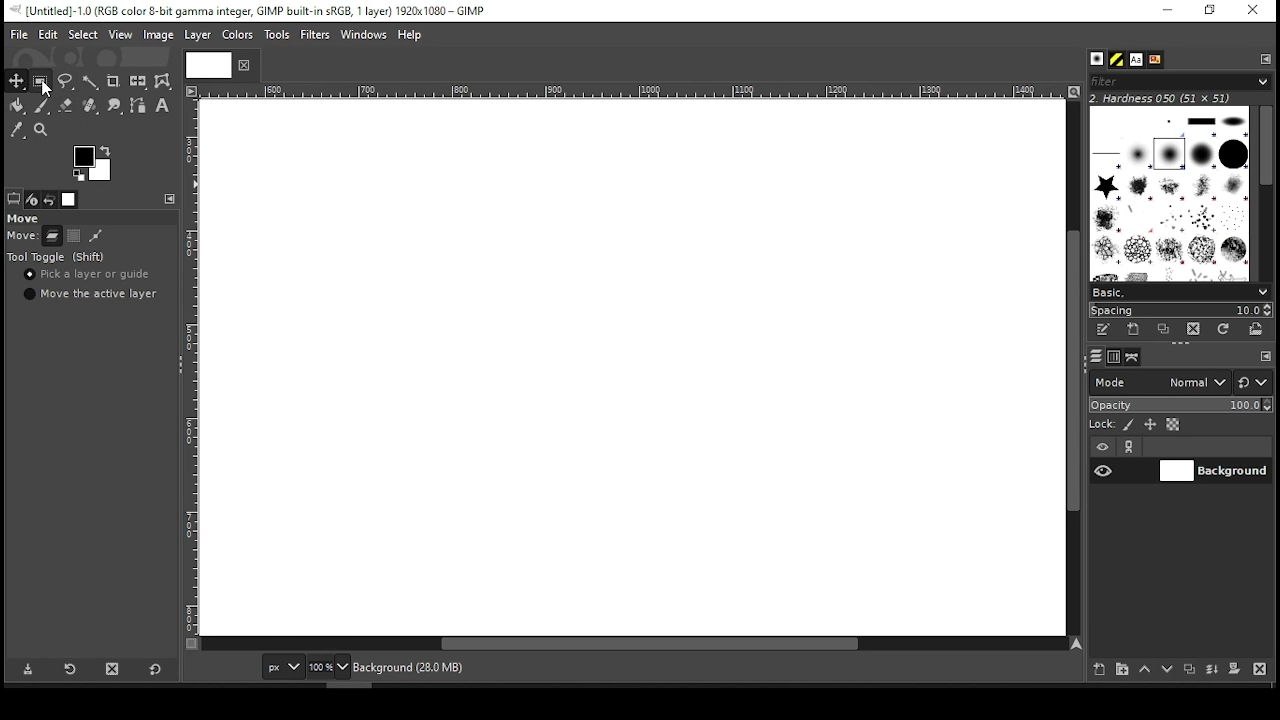 This screenshot has width=1280, height=720. I want to click on scroll bar, so click(1071, 367).